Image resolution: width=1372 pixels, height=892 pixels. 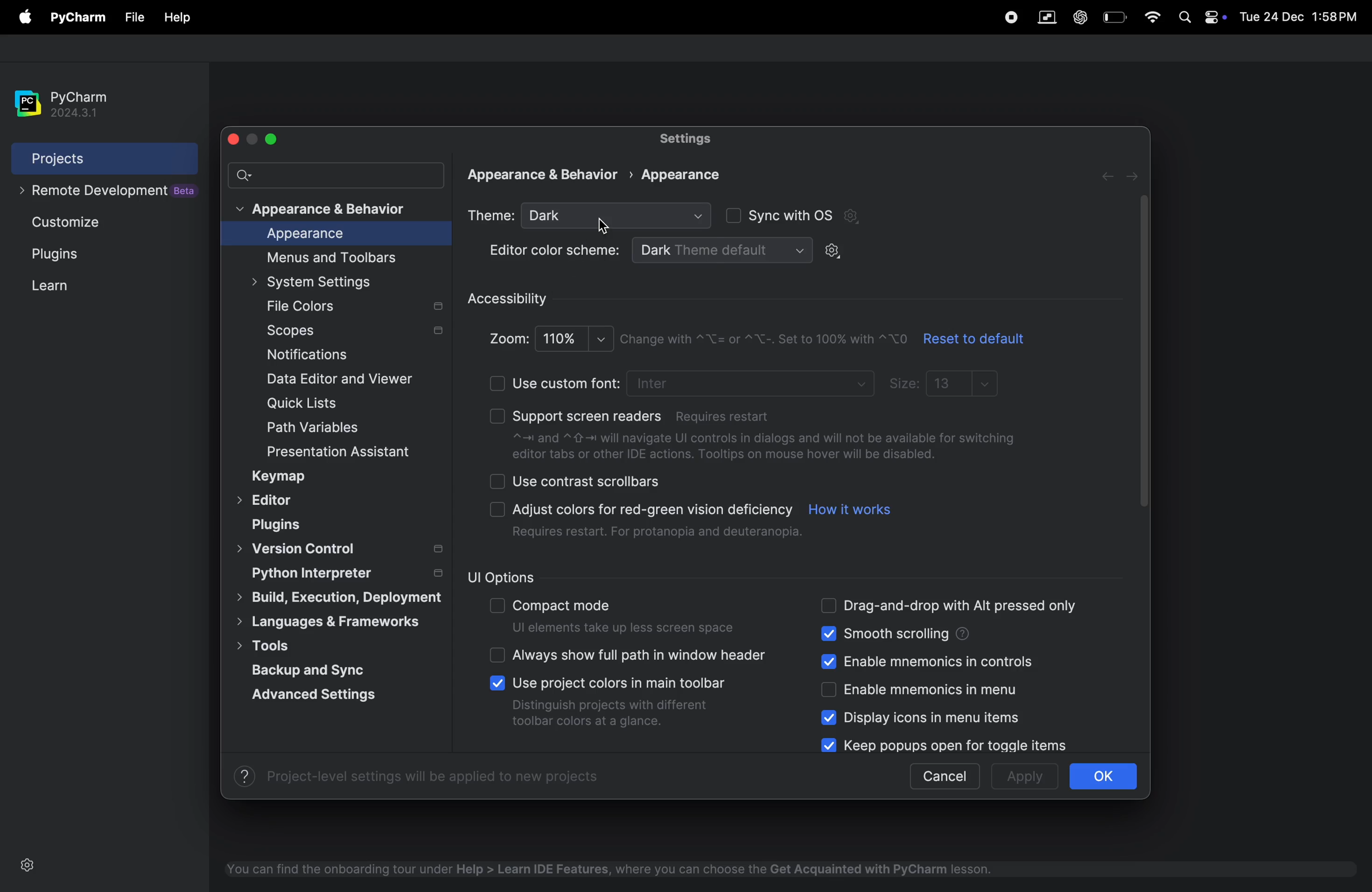 What do you see at coordinates (268, 138) in the screenshot?
I see `maximize` at bounding box center [268, 138].